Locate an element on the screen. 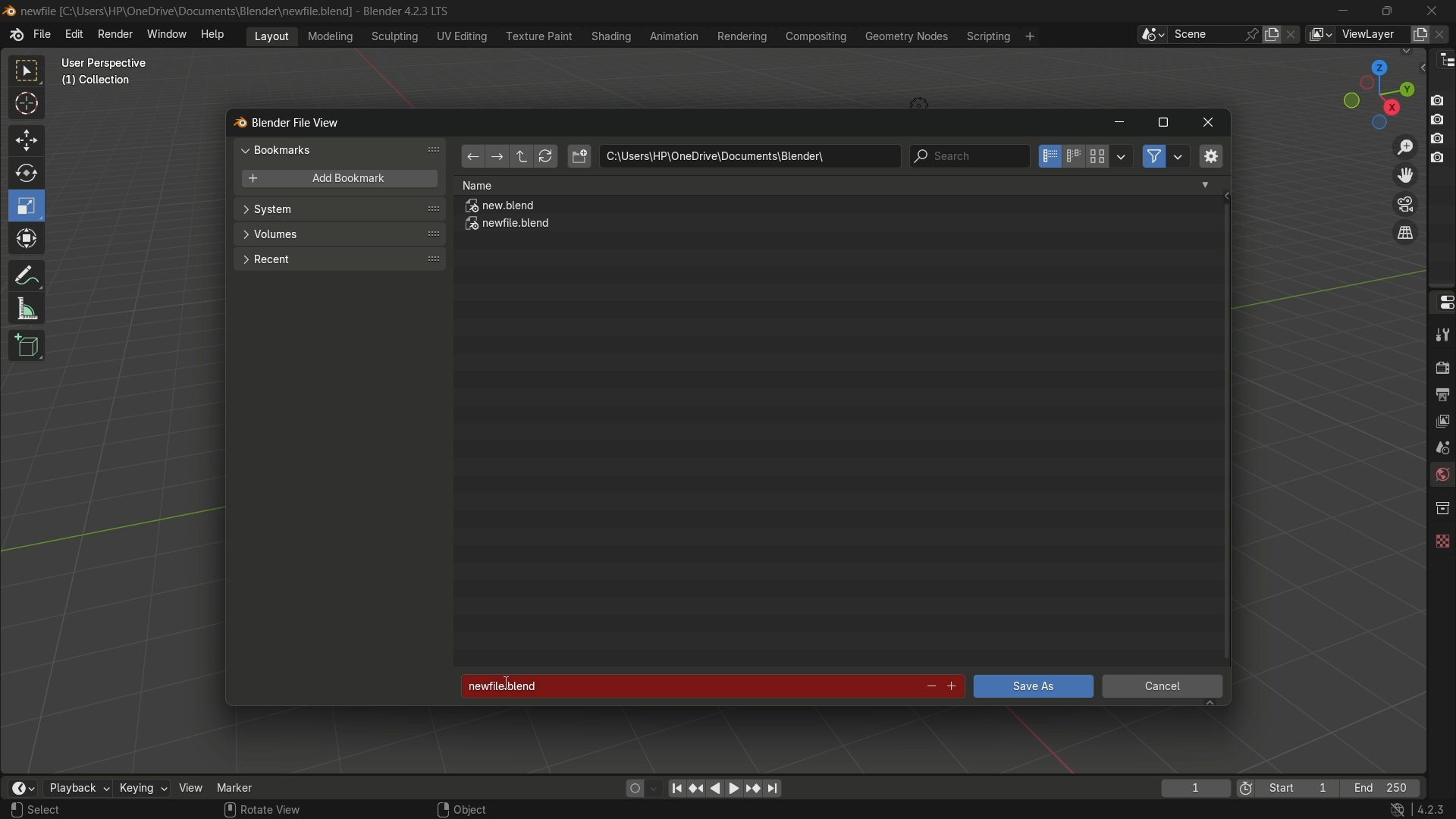 The image size is (1456, 819). search bar is located at coordinates (968, 156).